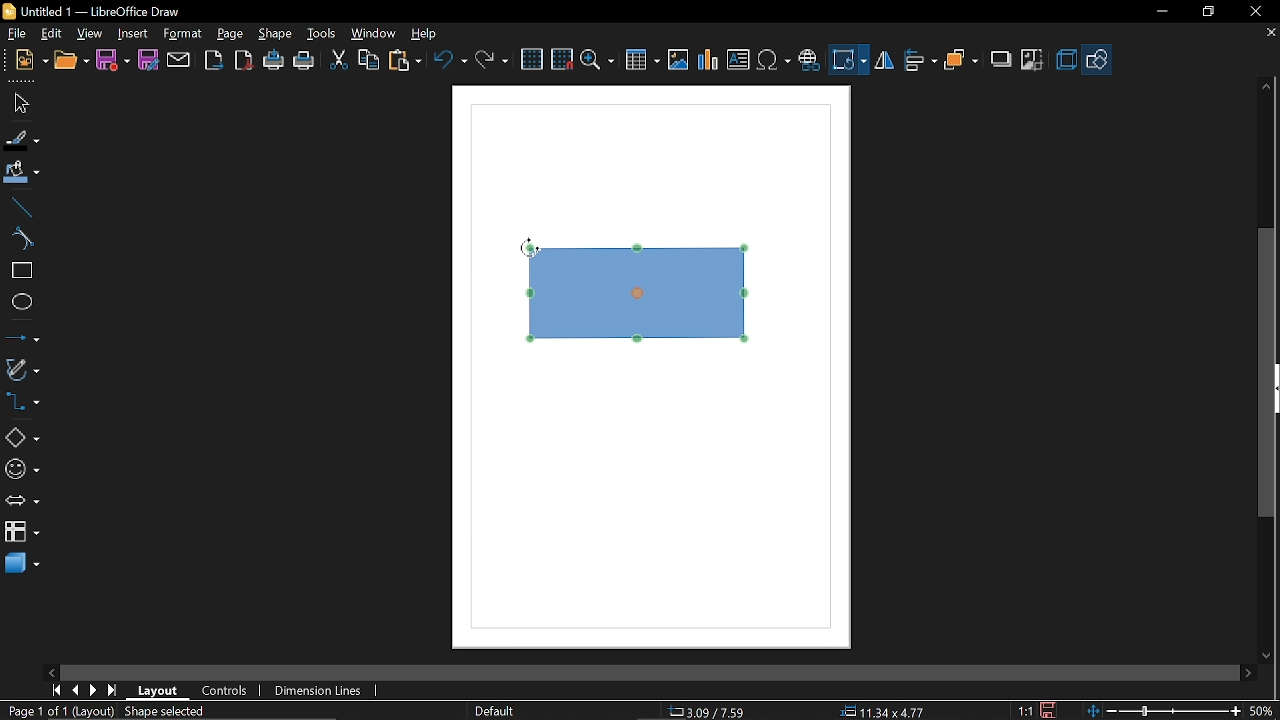  Describe the element at coordinates (15, 34) in the screenshot. I see `file ` at that location.